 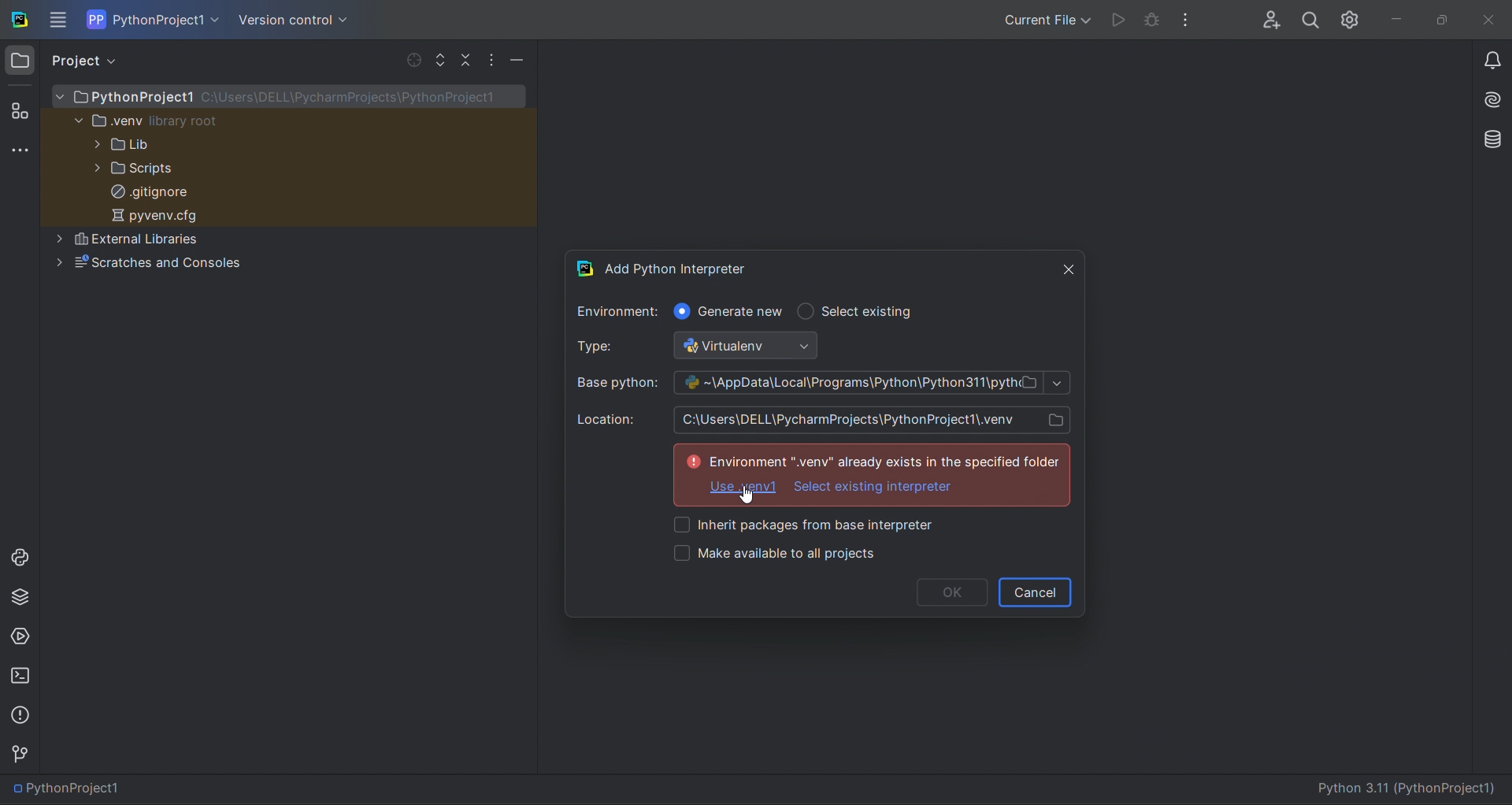 I want to click on collapse file, so click(x=469, y=58).